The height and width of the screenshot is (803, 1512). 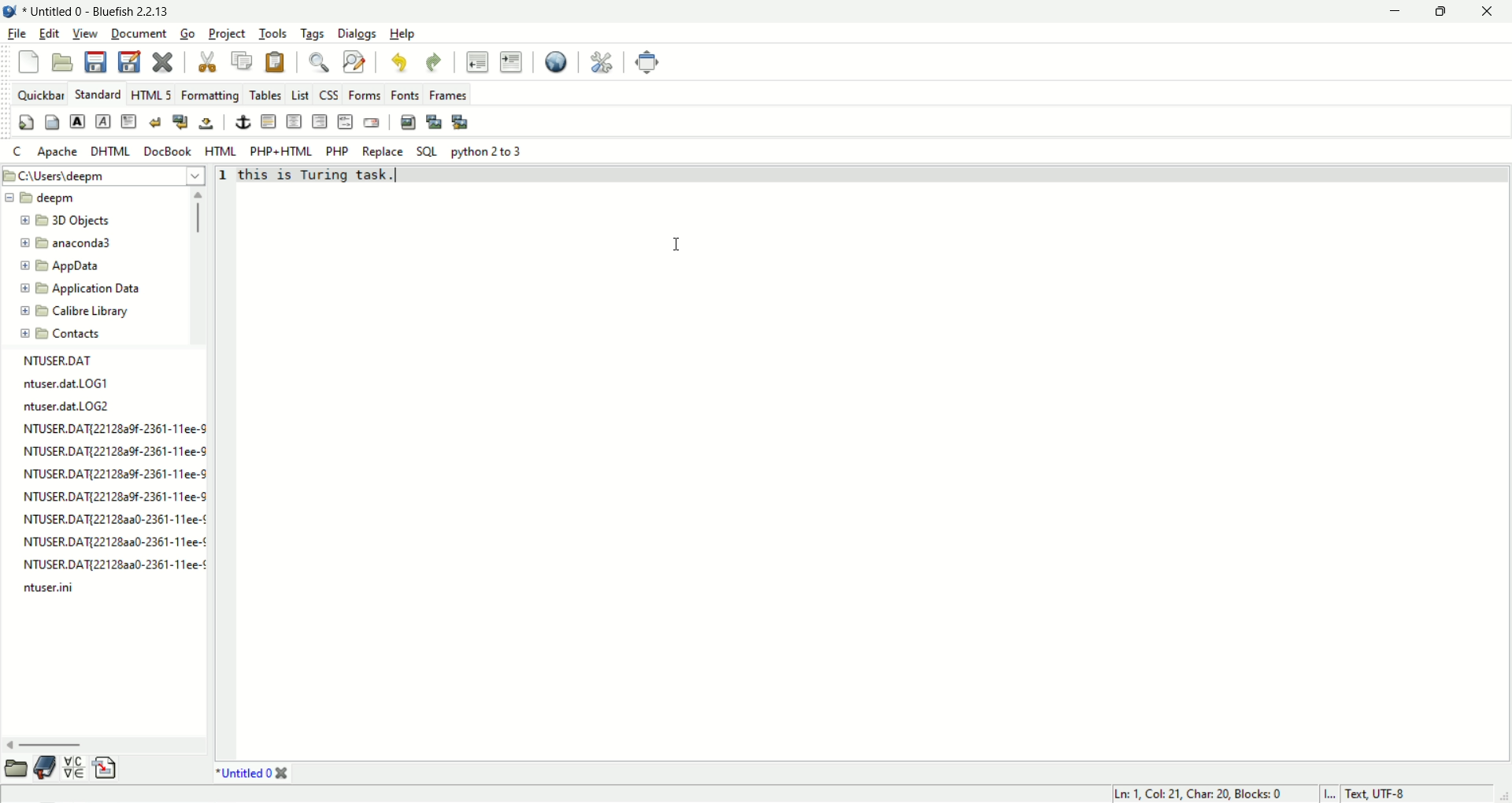 What do you see at coordinates (1366, 792) in the screenshot?
I see `I... Text, UTF-8` at bounding box center [1366, 792].